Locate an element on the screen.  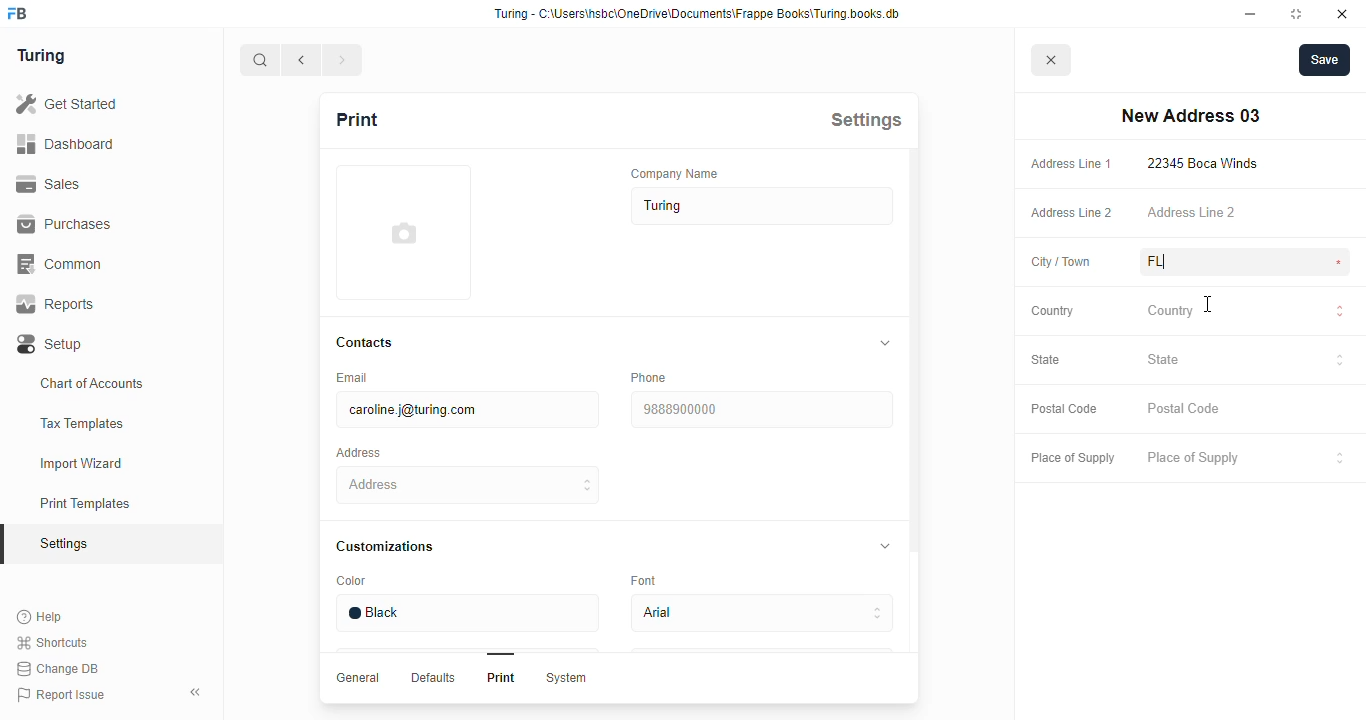
scroll bar is located at coordinates (913, 426).